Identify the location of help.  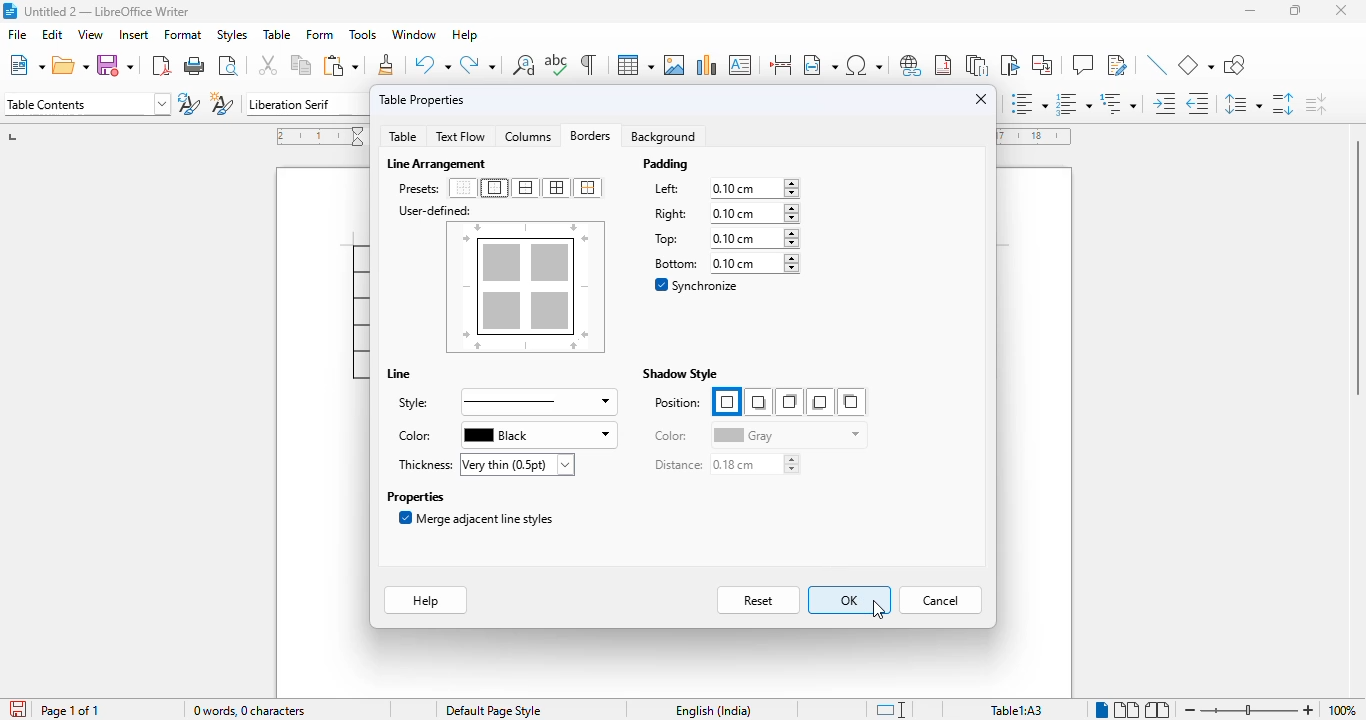
(426, 600).